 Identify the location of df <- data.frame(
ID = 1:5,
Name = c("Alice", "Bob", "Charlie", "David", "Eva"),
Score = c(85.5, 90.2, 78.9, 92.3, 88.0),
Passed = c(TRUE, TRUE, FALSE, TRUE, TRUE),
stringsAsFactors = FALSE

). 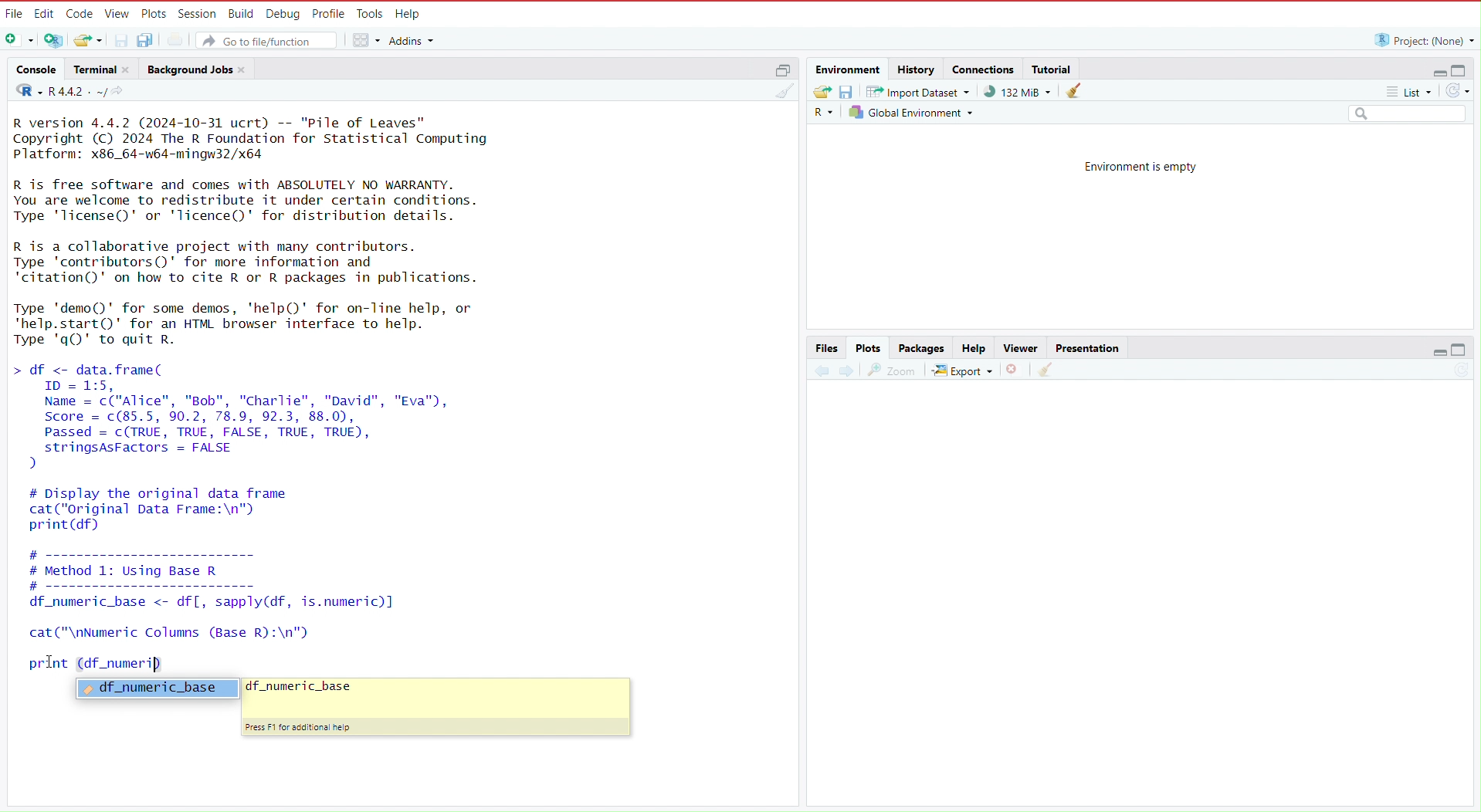
(252, 416).